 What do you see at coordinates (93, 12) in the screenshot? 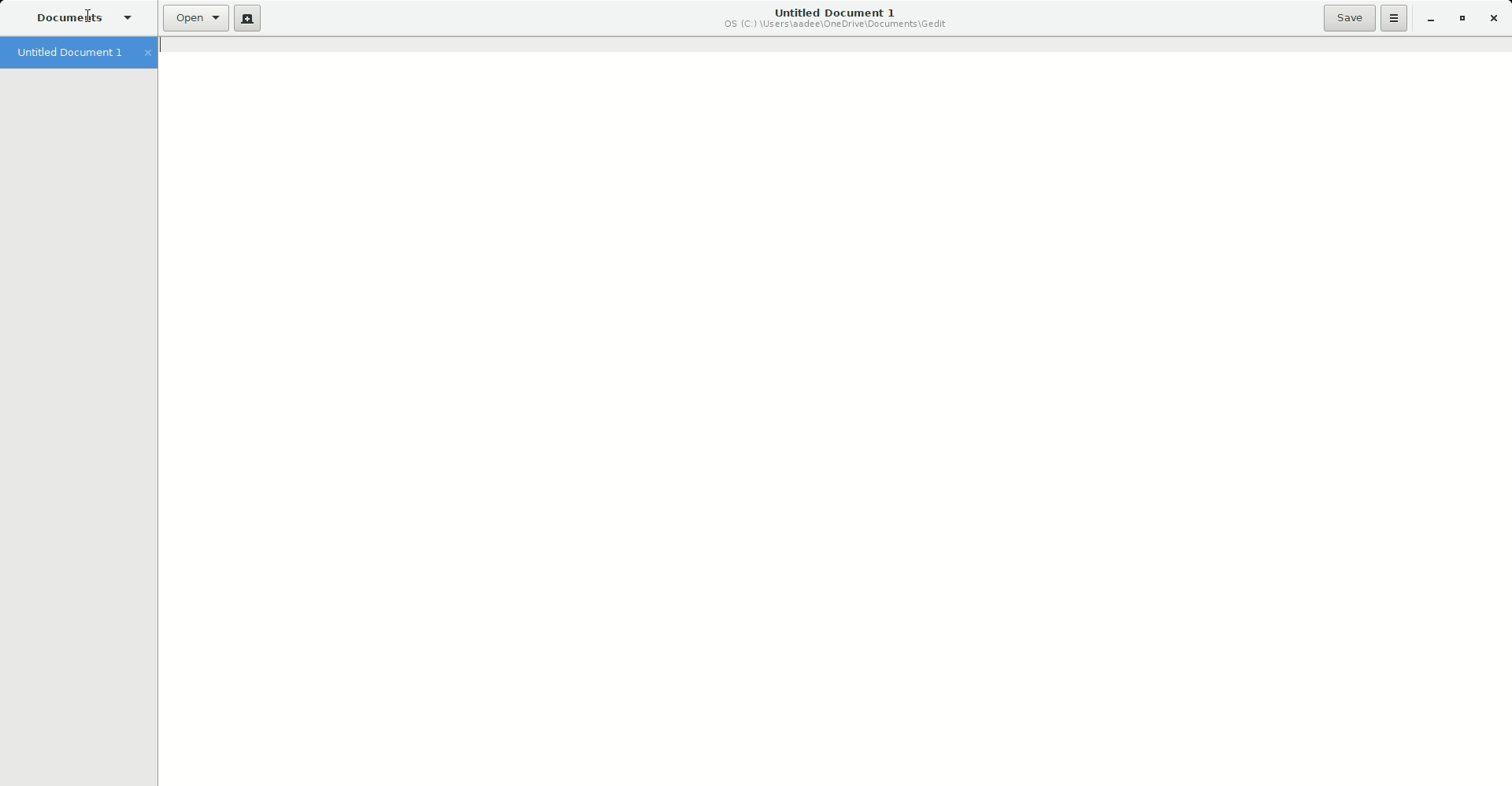
I see `Cursor` at bounding box center [93, 12].